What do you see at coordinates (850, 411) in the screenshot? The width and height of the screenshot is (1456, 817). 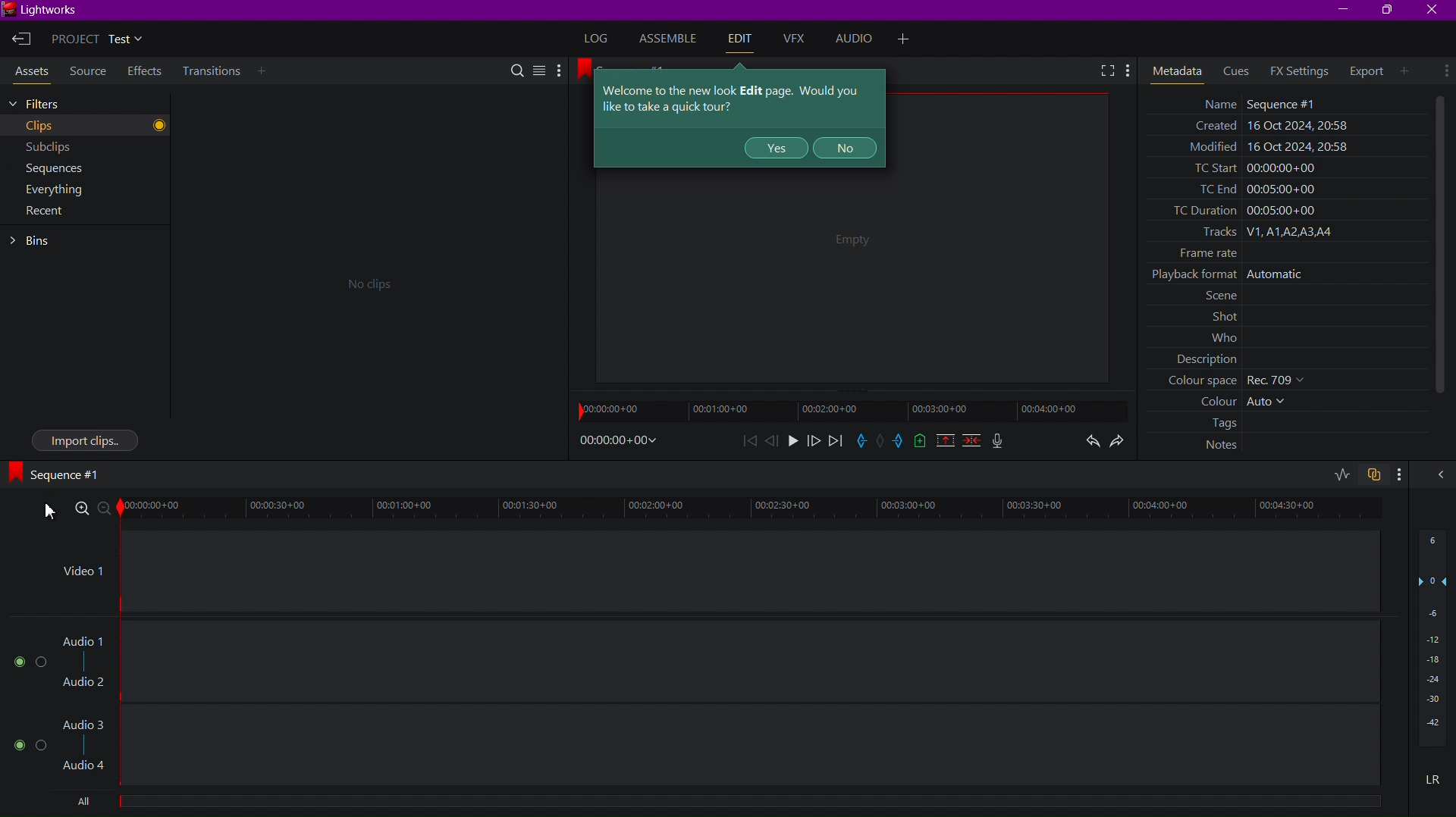 I see `Timeline` at bounding box center [850, 411].